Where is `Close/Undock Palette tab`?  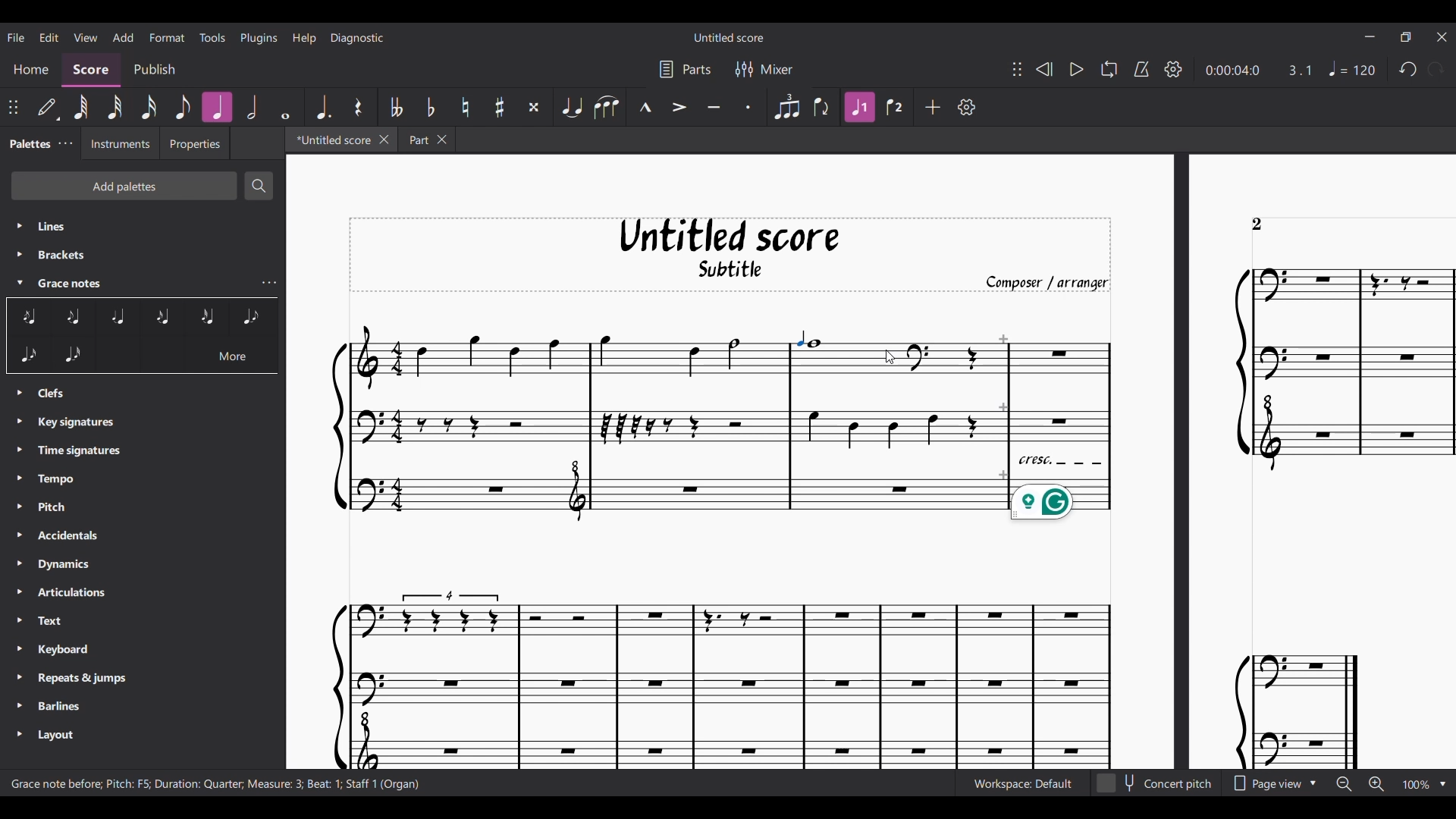
Close/Undock Palette tab is located at coordinates (65, 143).